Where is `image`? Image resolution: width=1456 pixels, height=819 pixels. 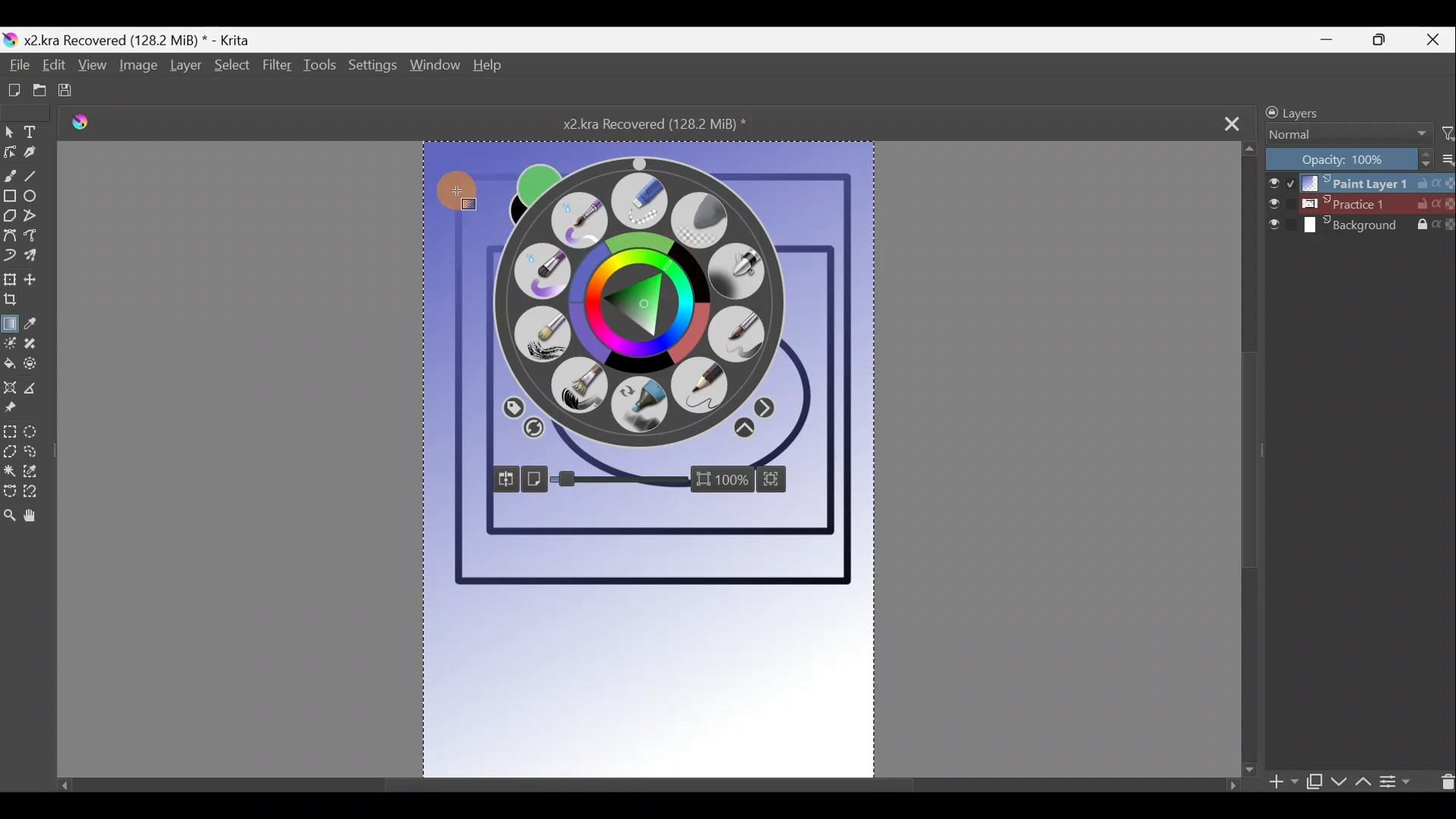 image is located at coordinates (837, 299).